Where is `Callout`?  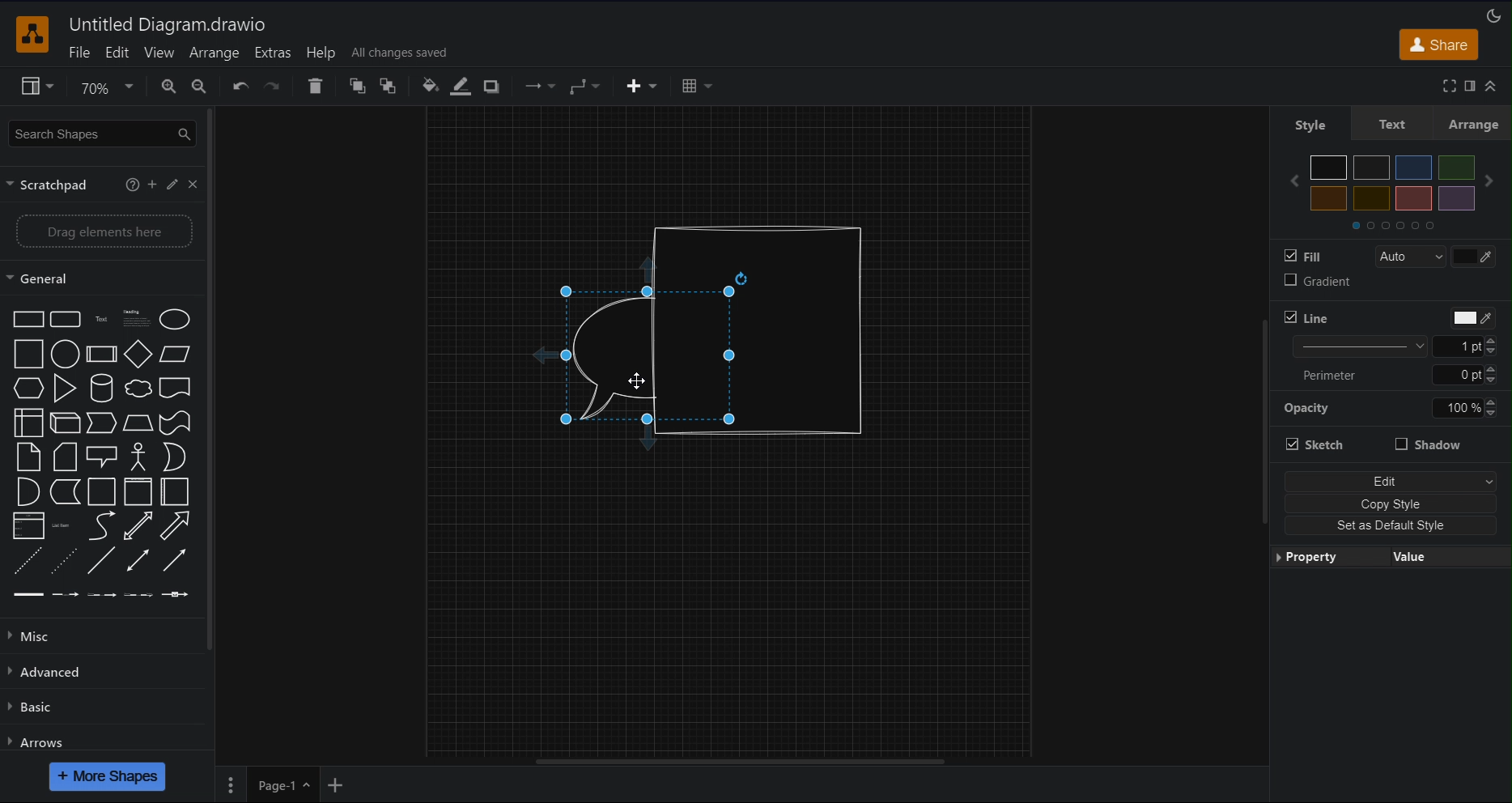
Callout is located at coordinates (103, 457).